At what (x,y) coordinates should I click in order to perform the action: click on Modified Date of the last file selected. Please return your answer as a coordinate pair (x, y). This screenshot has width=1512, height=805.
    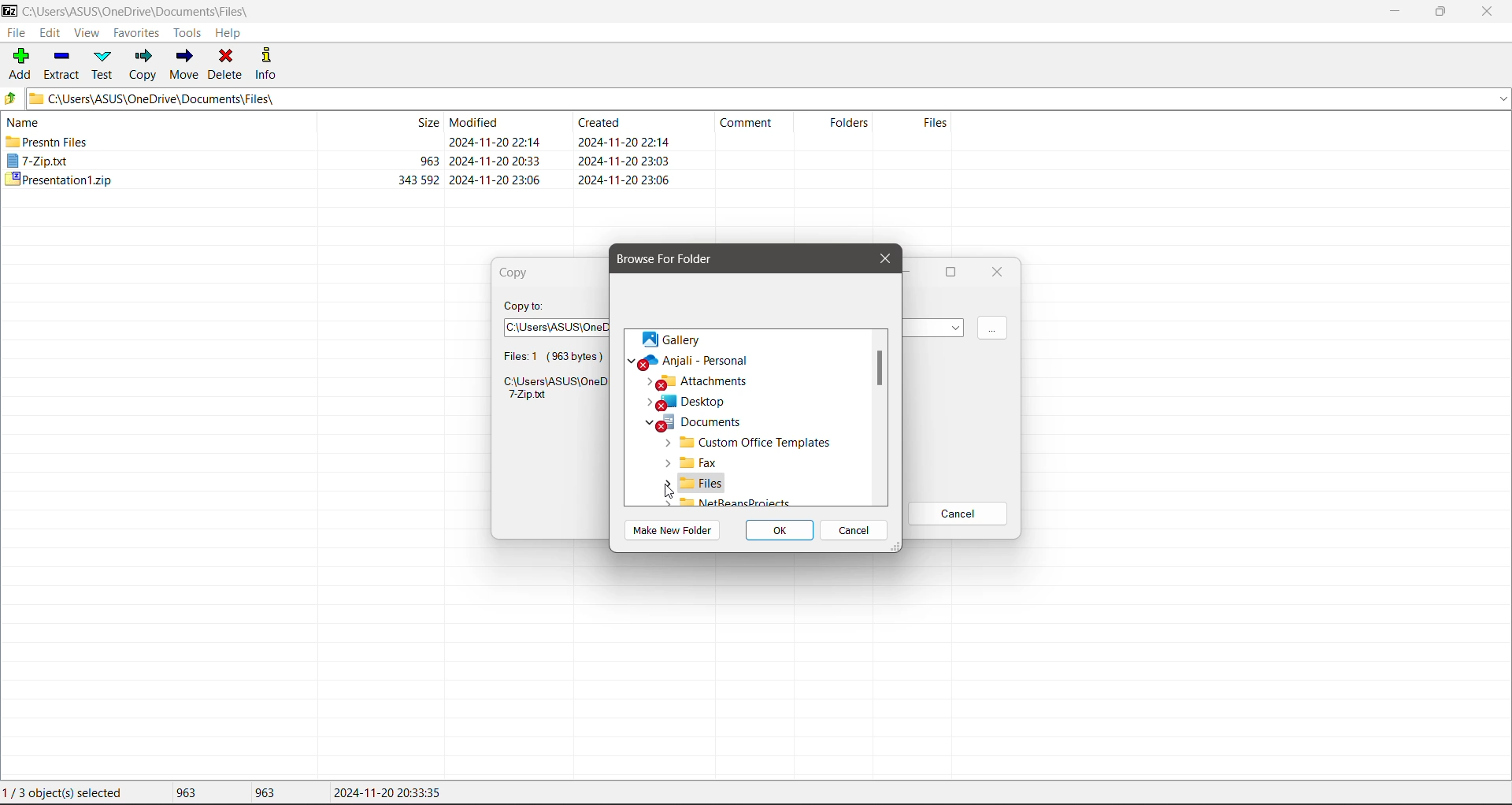
    Looking at the image, I should click on (387, 793).